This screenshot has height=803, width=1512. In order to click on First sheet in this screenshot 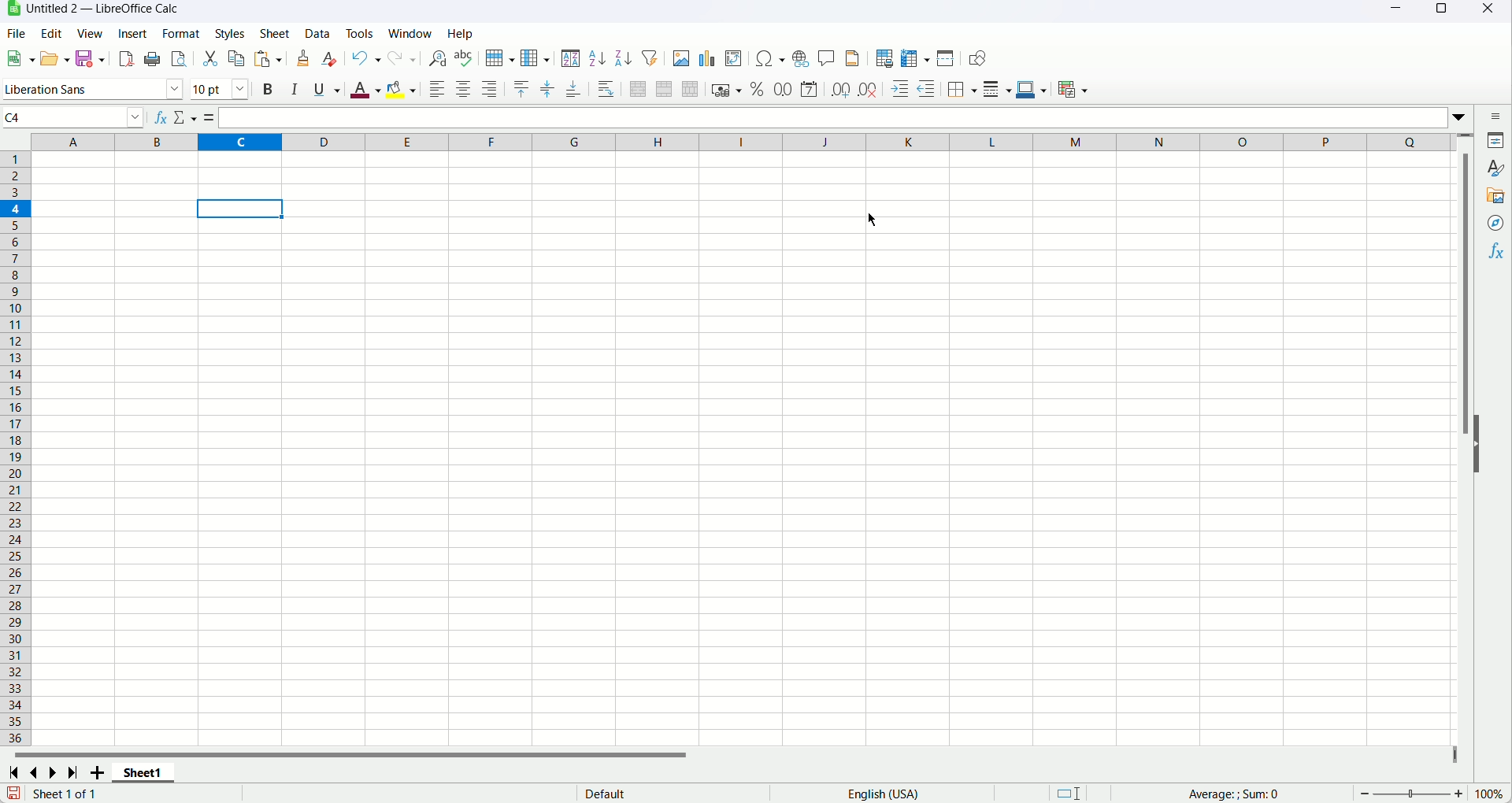, I will do `click(13, 774)`.